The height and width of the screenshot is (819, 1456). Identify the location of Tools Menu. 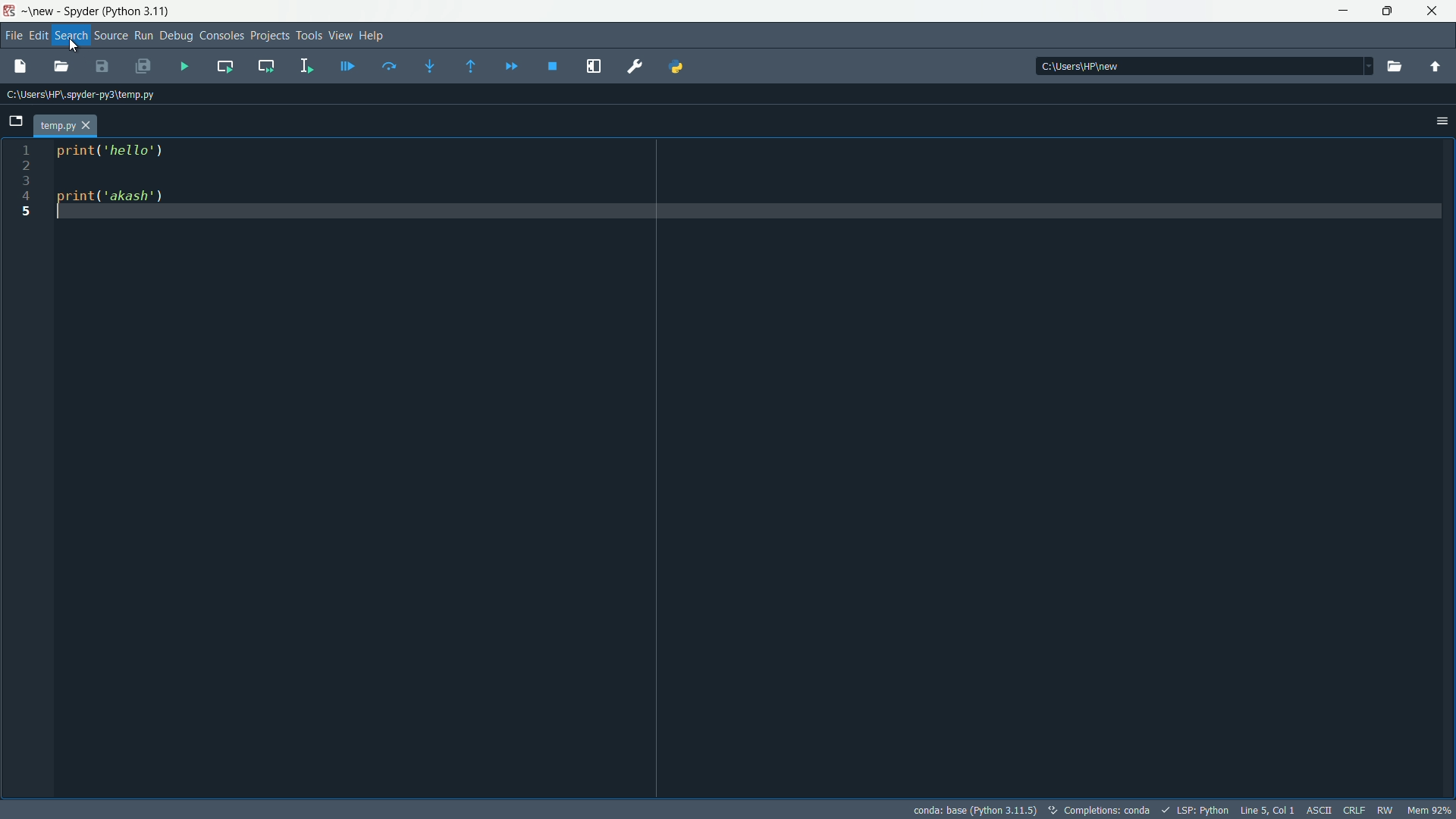
(309, 35).